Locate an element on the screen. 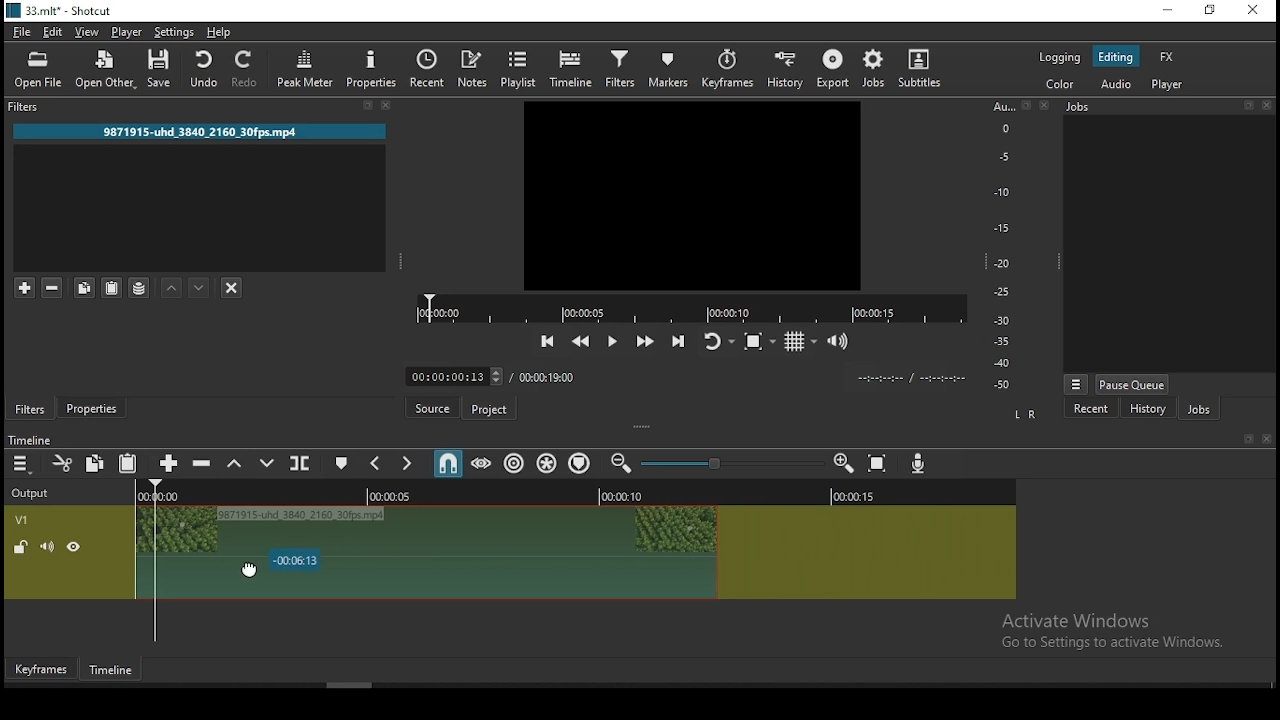  filters is located at coordinates (34, 106).